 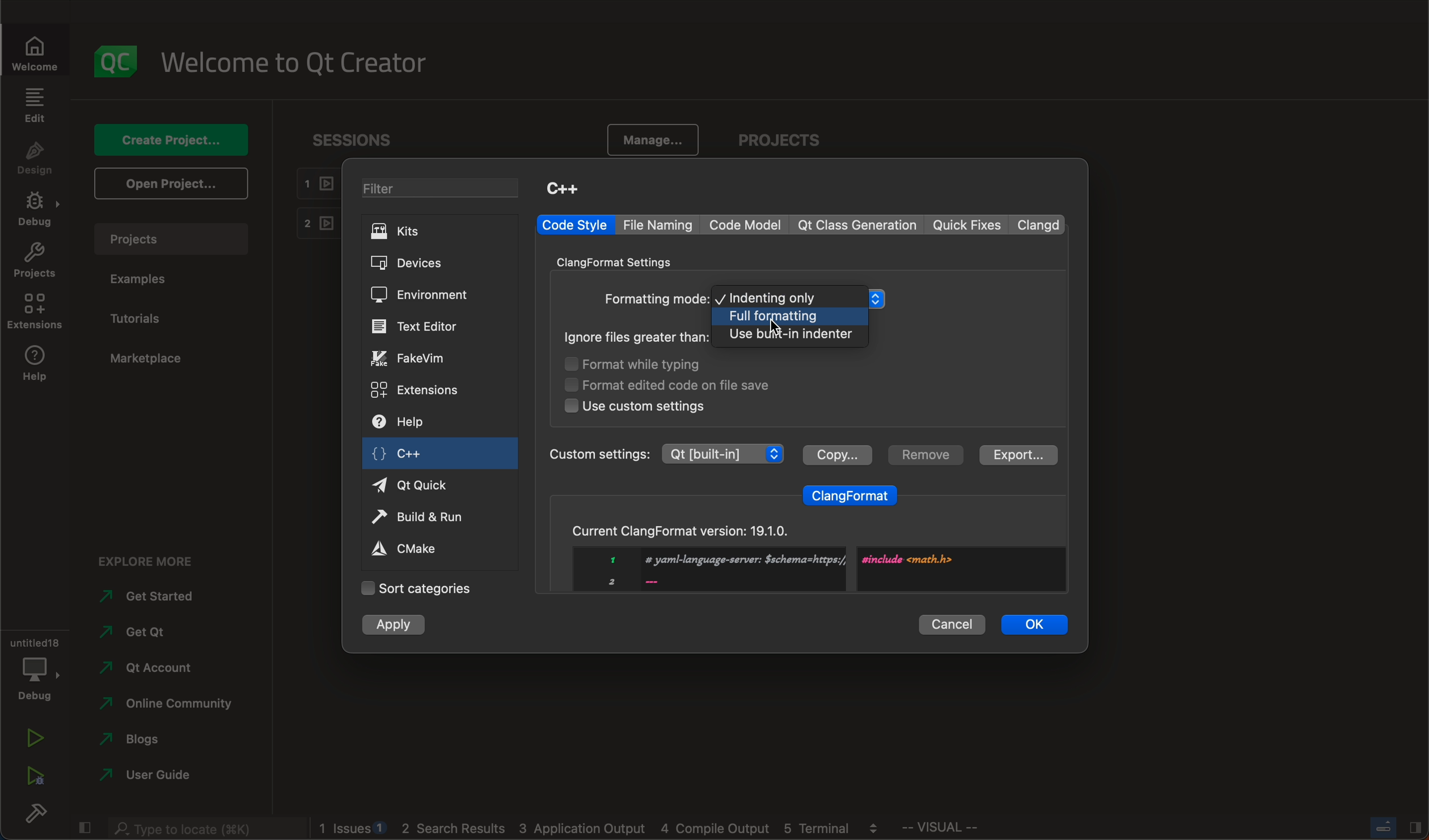 I want to click on code, so click(x=747, y=224).